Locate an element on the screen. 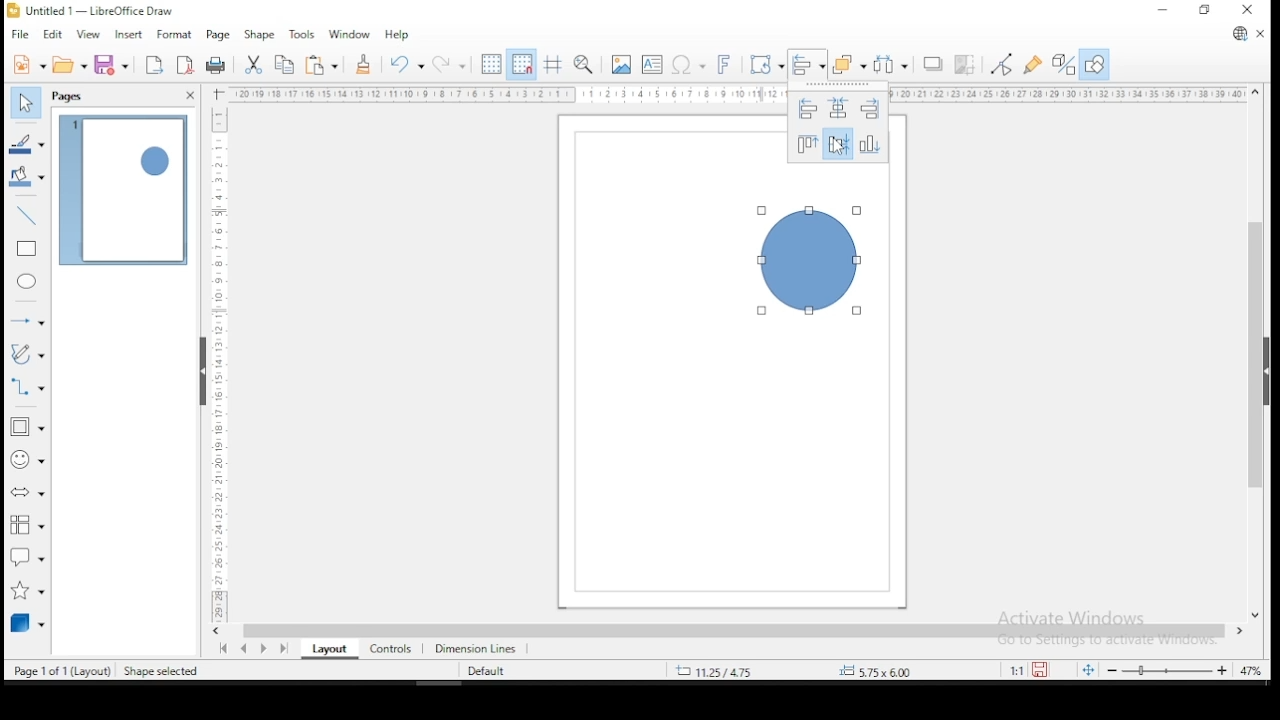 The width and height of the screenshot is (1280, 720). fill color is located at coordinates (28, 176).